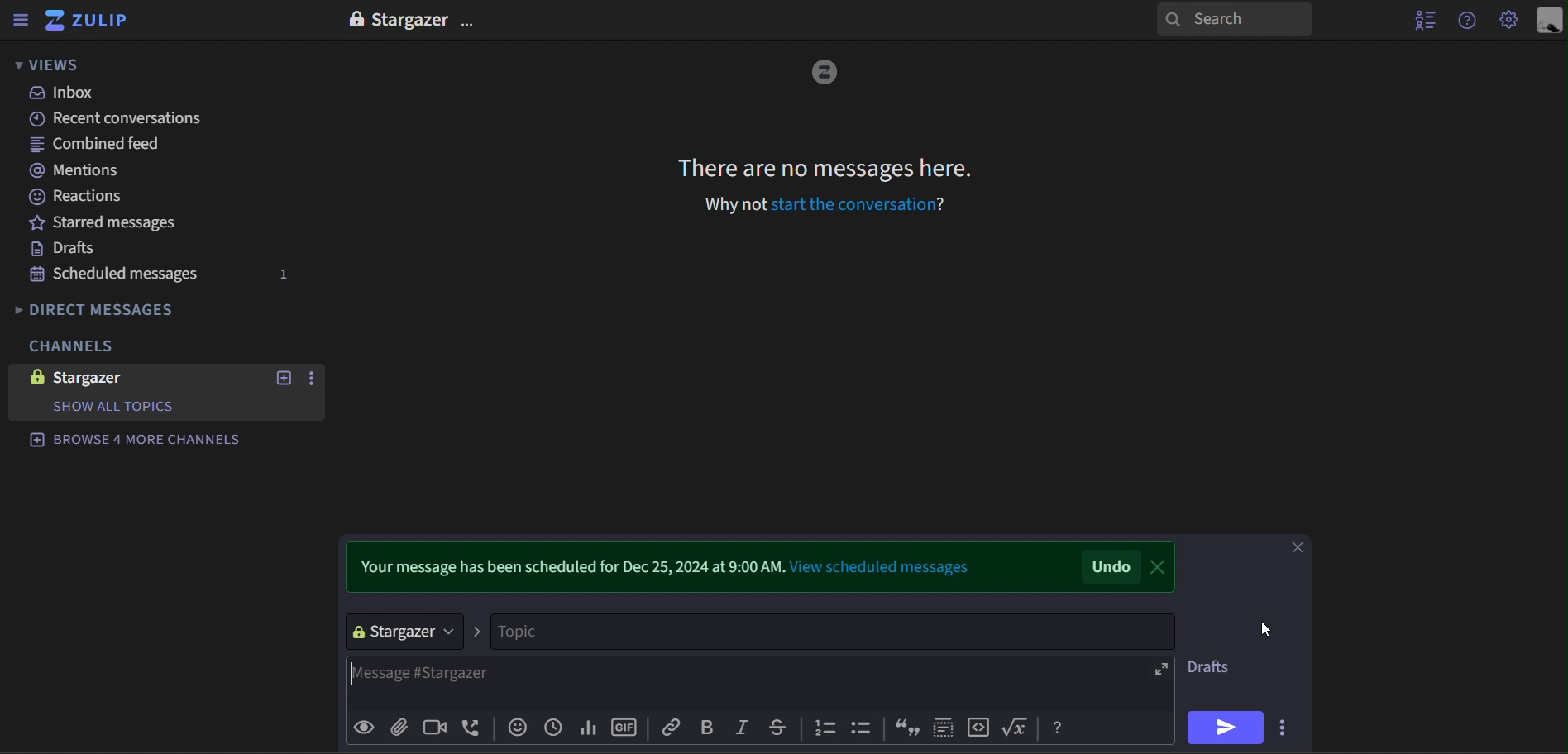 Image resolution: width=1568 pixels, height=754 pixels. Describe the element at coordinates (1288, 727) in the screenshot. I see `options` at that location.